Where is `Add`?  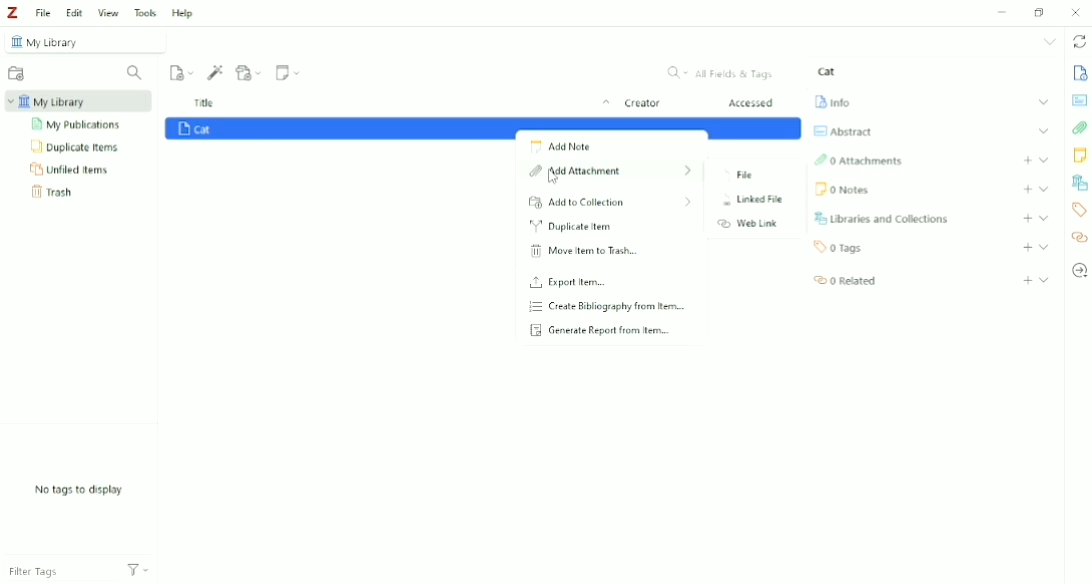
Add is located at coordinates (1027, 218).